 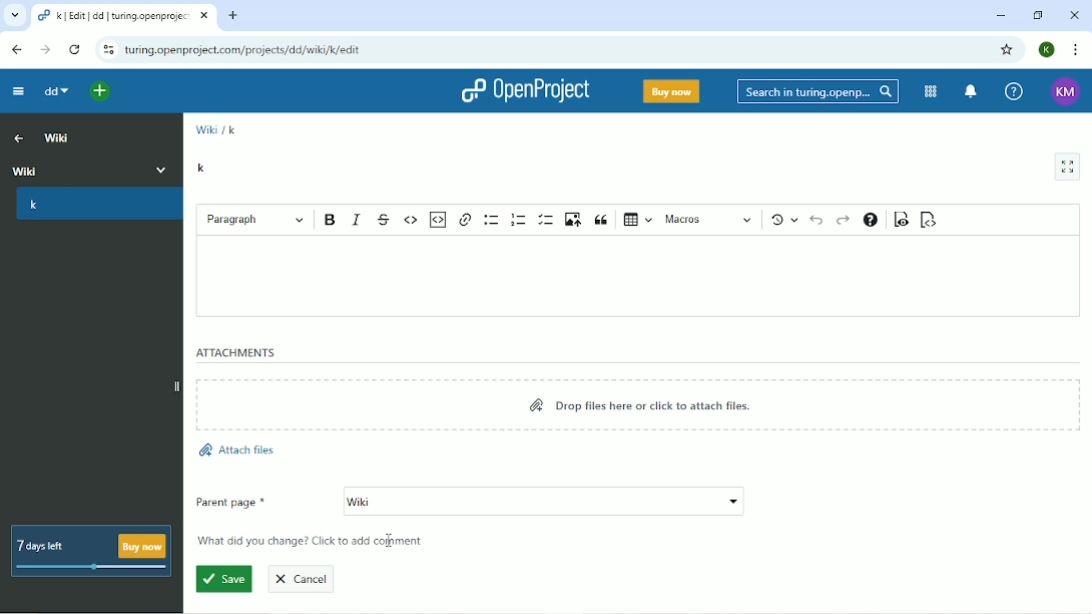 What do you see at coordinates (573, 219) in the screenshot?
I see `Upload image from computer` at bounding box center [573, 219].